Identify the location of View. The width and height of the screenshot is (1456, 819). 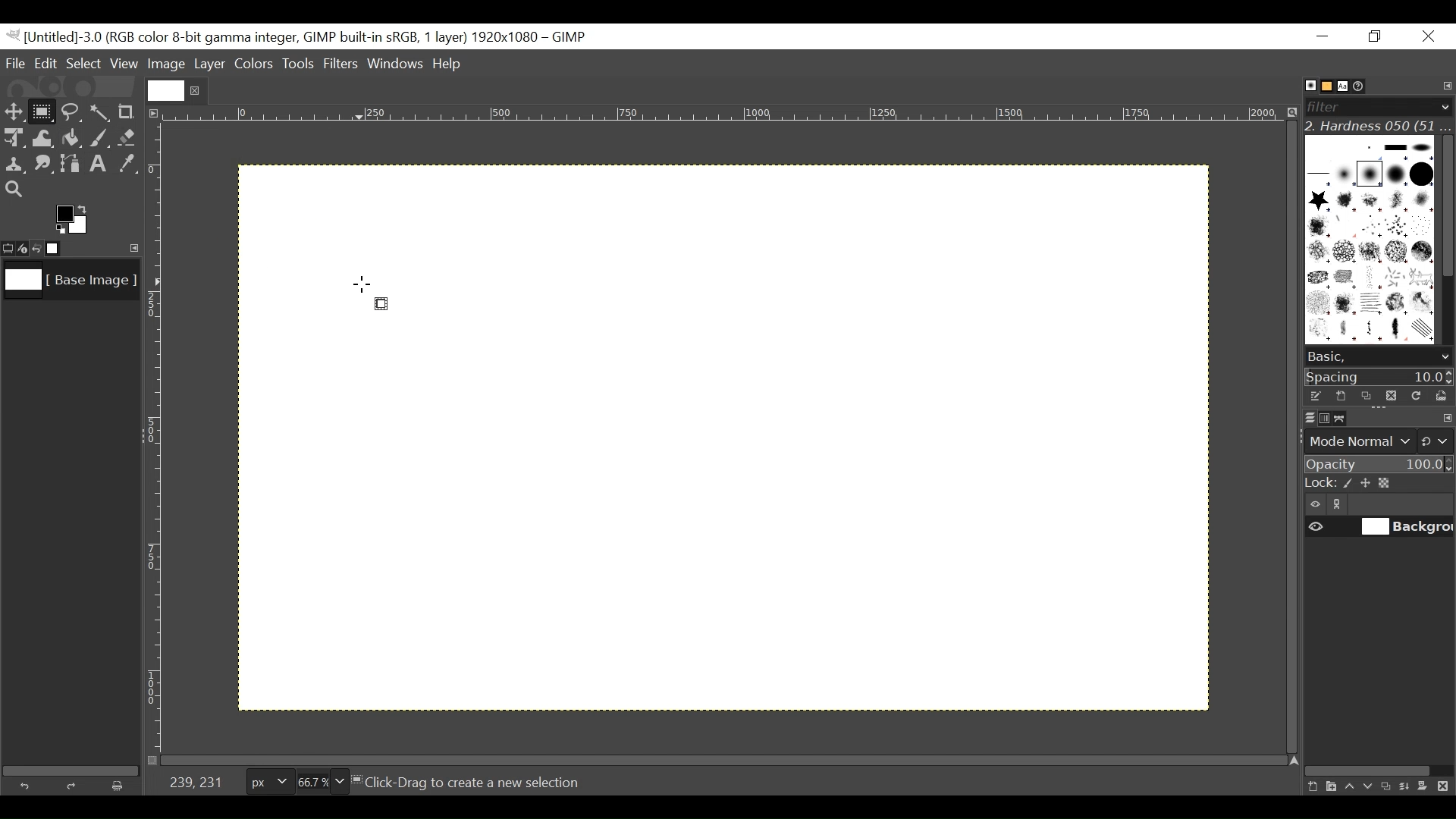
(124, 64).